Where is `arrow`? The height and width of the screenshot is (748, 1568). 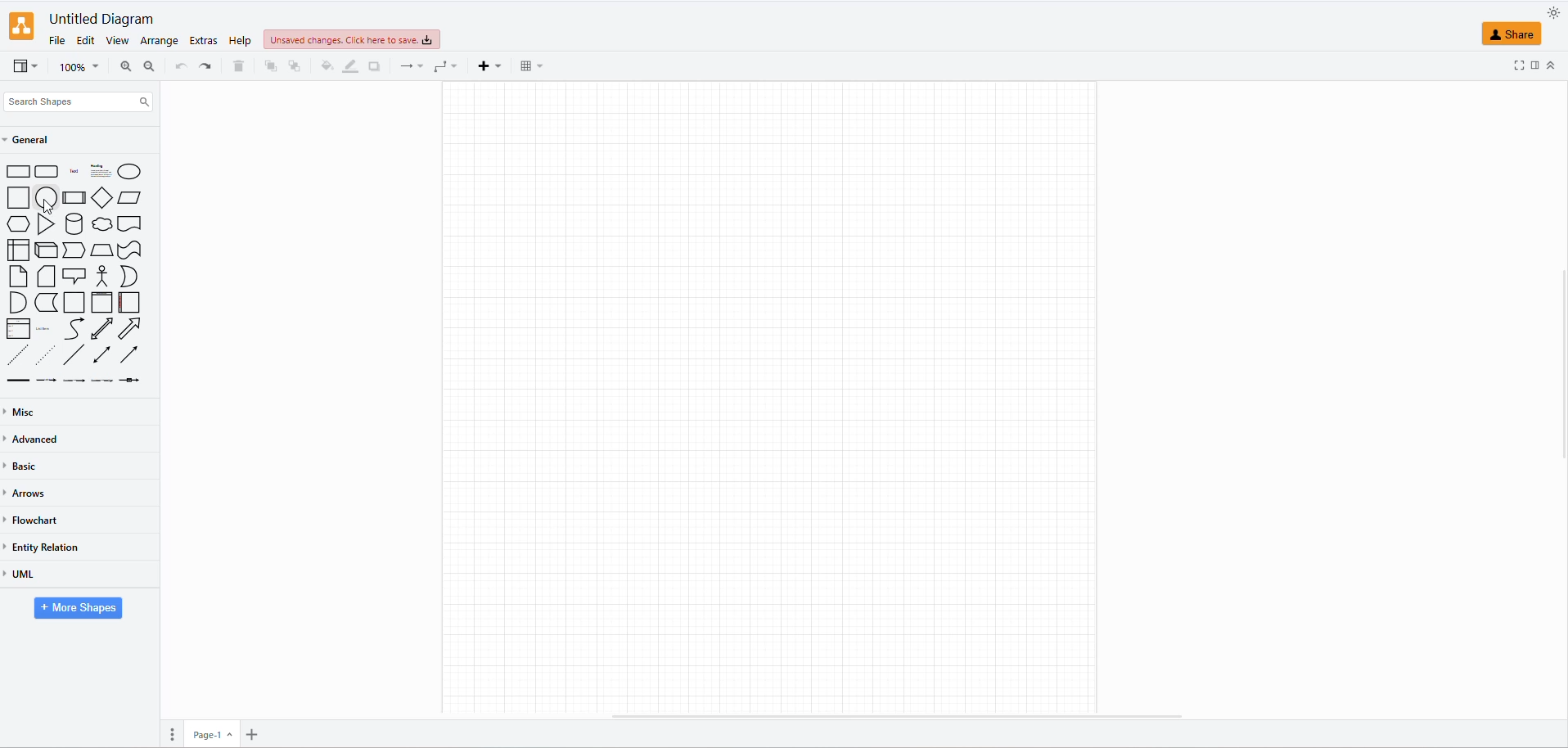
arrow is located at coordinates (95, 383).